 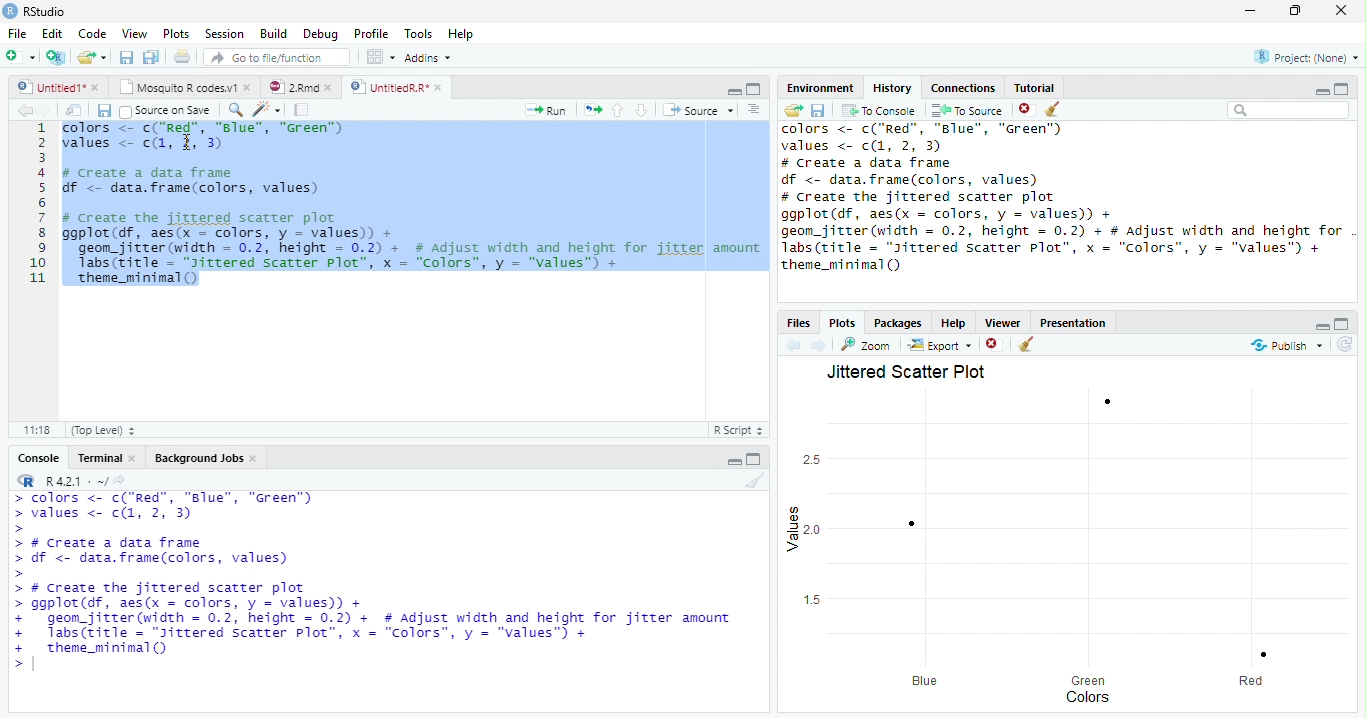 I want to click on Save current document, so click(x=105, y=111).